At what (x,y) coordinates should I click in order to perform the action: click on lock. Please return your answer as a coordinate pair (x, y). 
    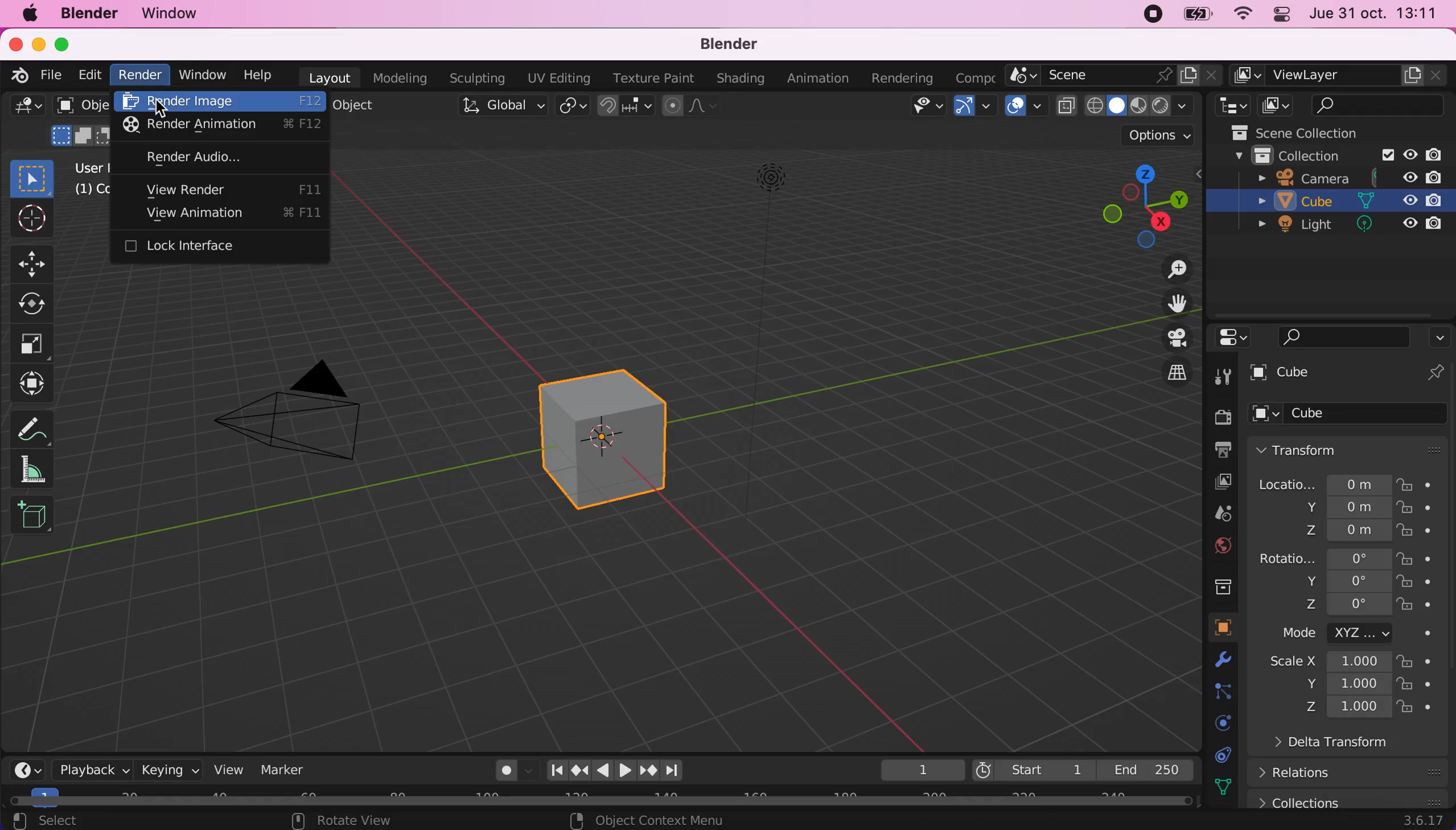
    Looking at the image, I should click on (1417, 663).